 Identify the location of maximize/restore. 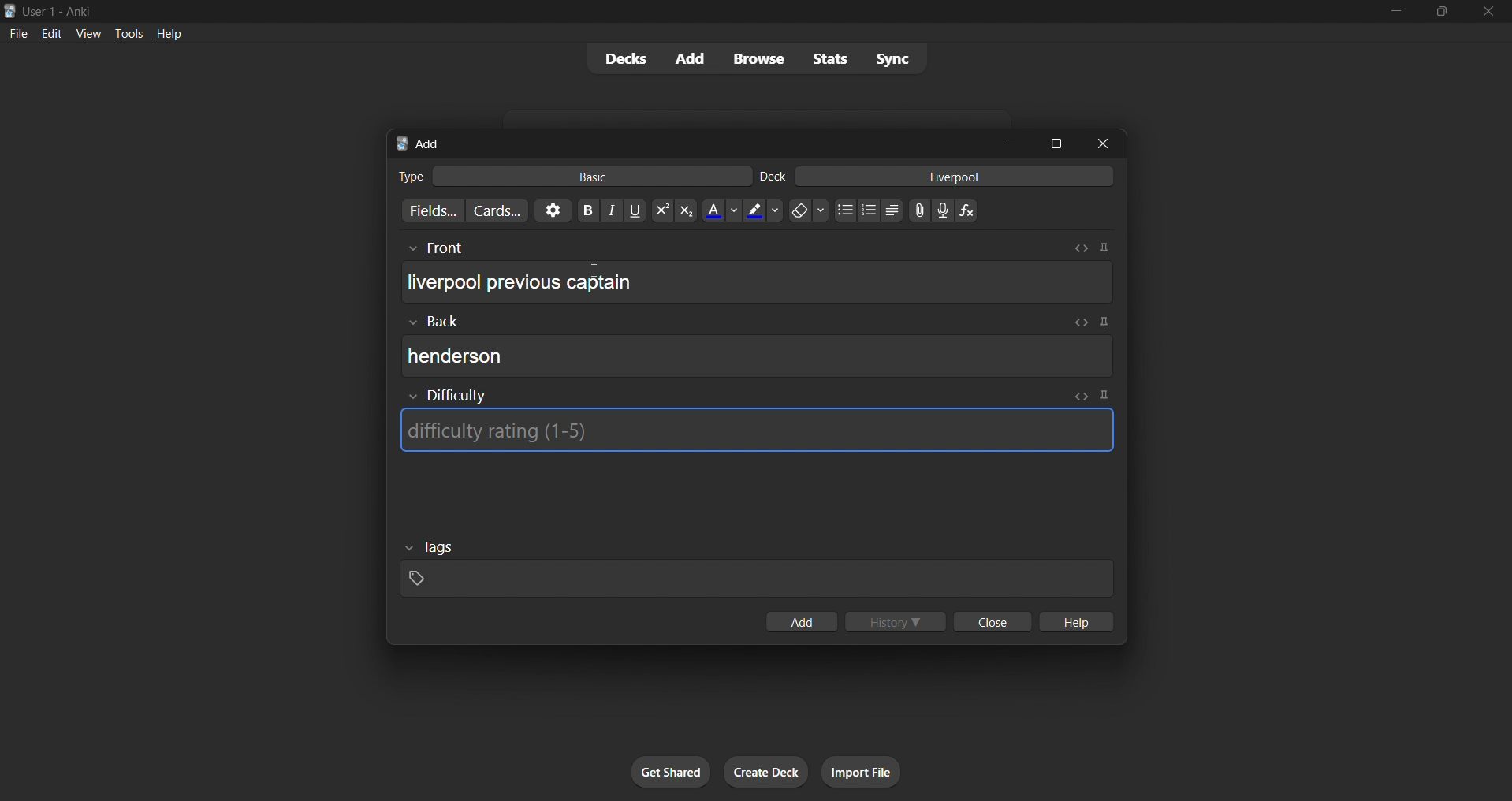
(1442, 12).